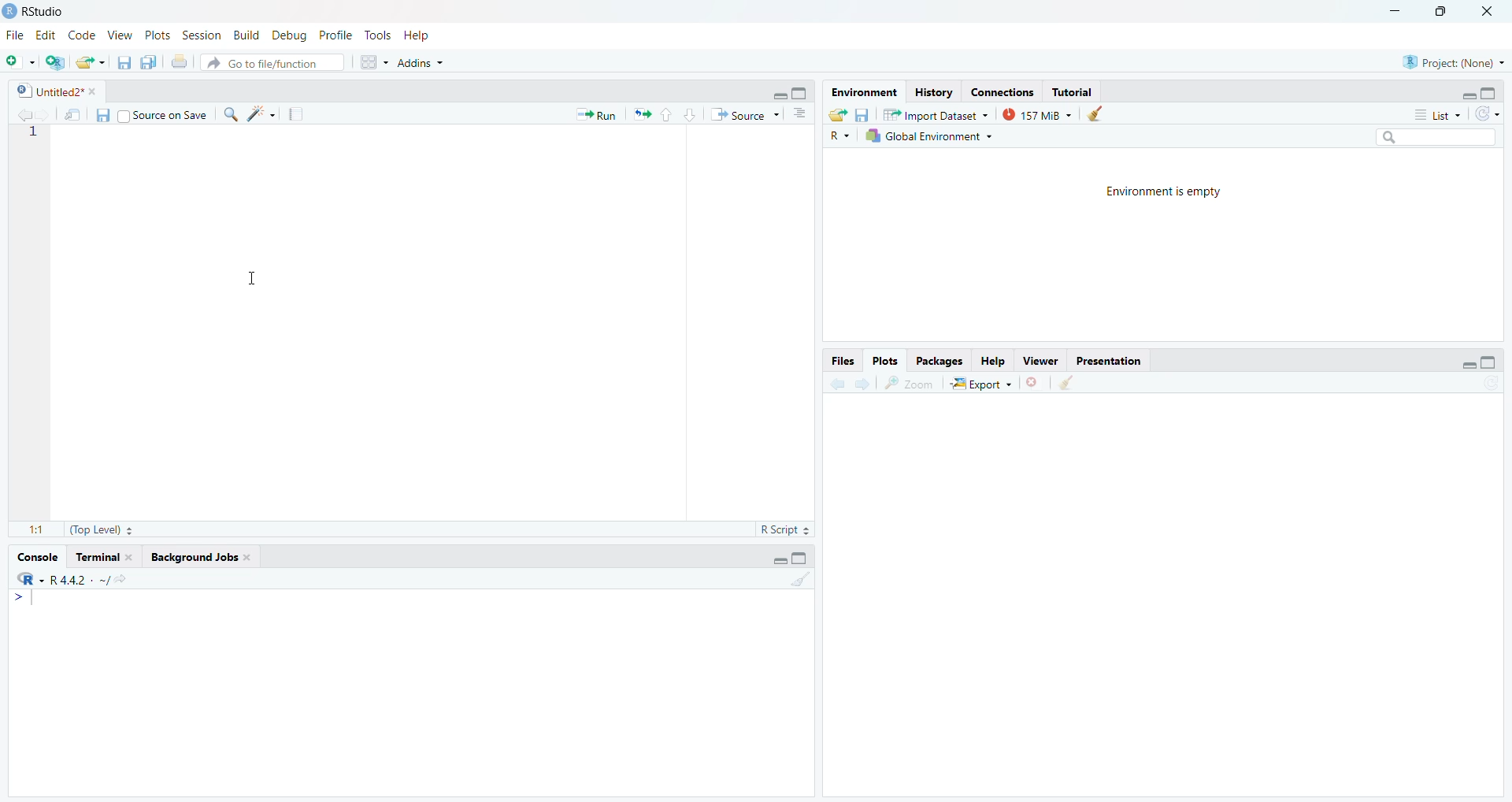 Image resolution: width=1512 pixels, height=802 pixels. I want to click on minimize, so click(780, 95).